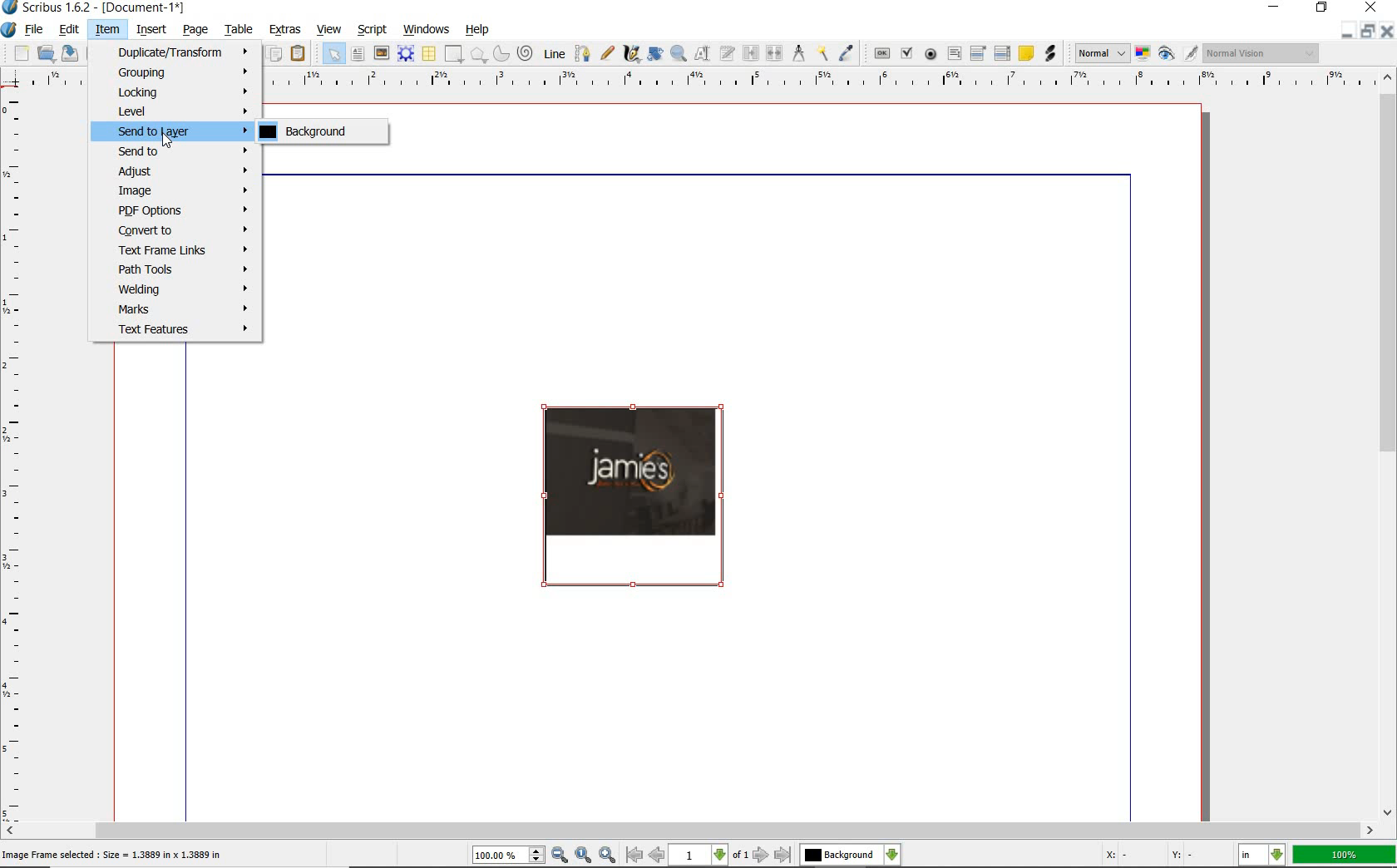 This screenshot has width=1397, height=868. What do you see at coordinates (373, 29) in the screenshot?
I see `script` at bounding box center [373, 29].